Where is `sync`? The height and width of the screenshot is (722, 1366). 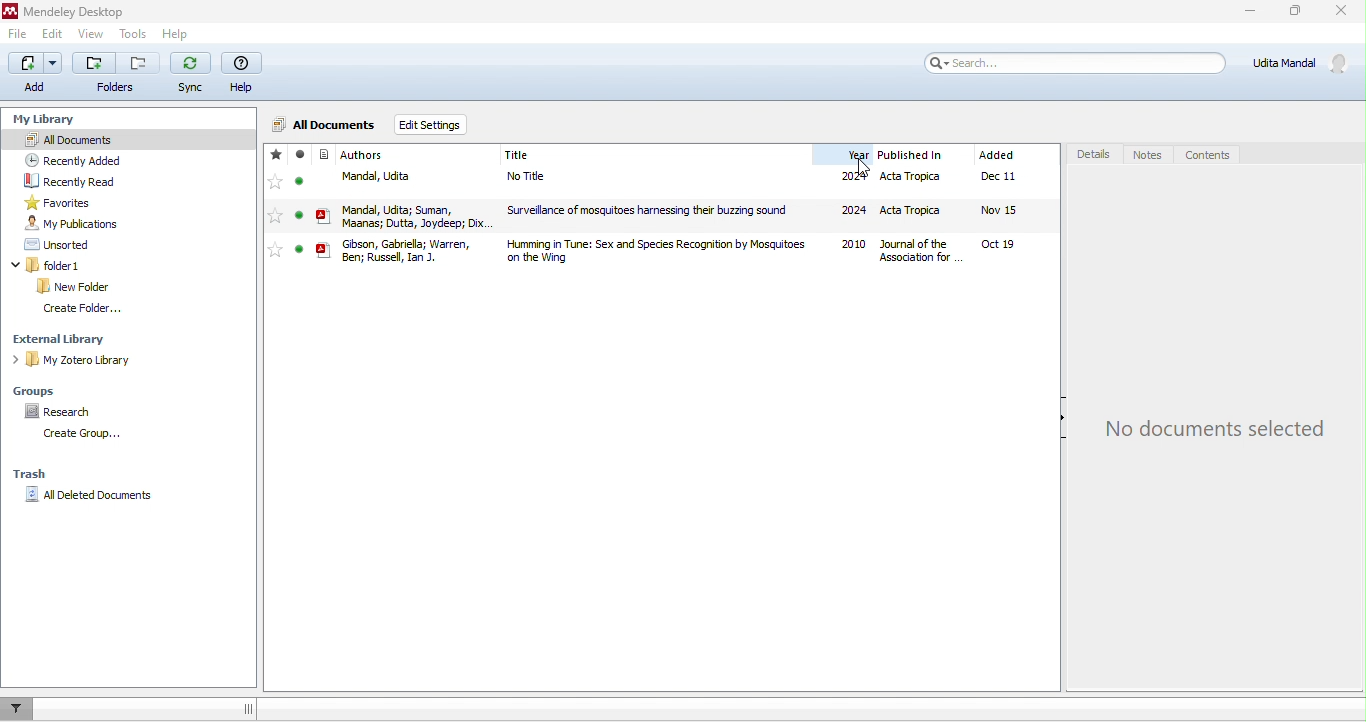
sync is located at coordinates (190, 74).